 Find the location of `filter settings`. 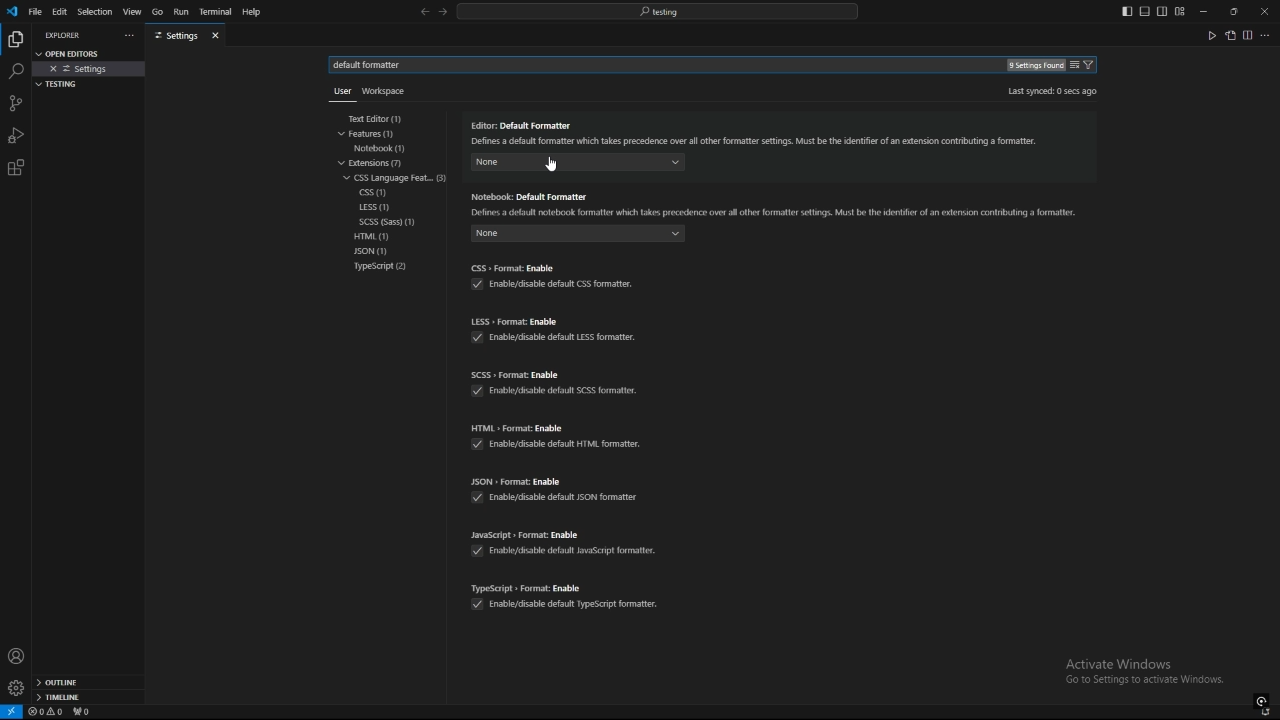

filter settings is located at coordinates (1092, 65).